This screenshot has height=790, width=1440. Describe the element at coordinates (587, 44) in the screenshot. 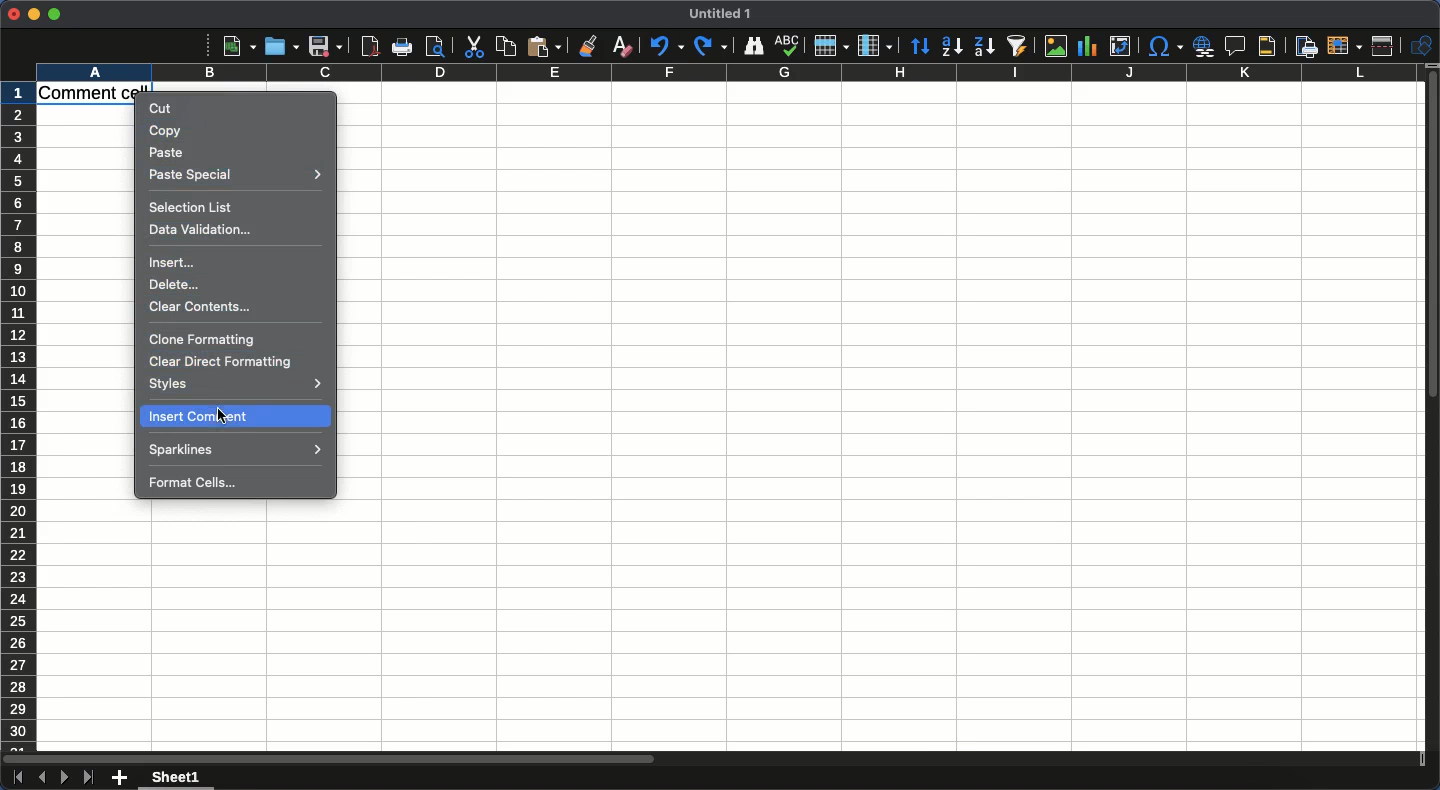

I see `Clone formatting` at that location.